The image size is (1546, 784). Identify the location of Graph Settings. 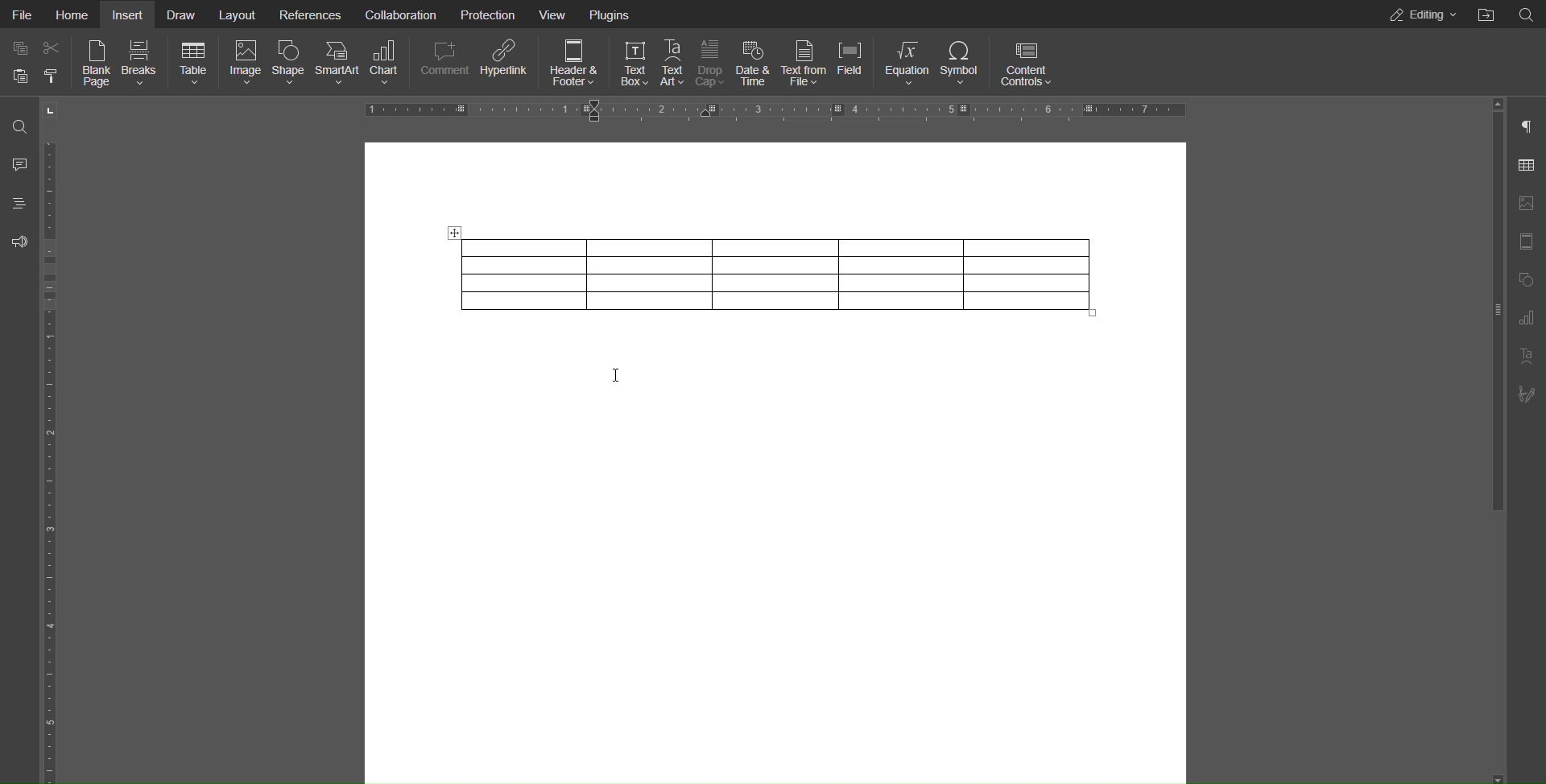
(1526, 320).